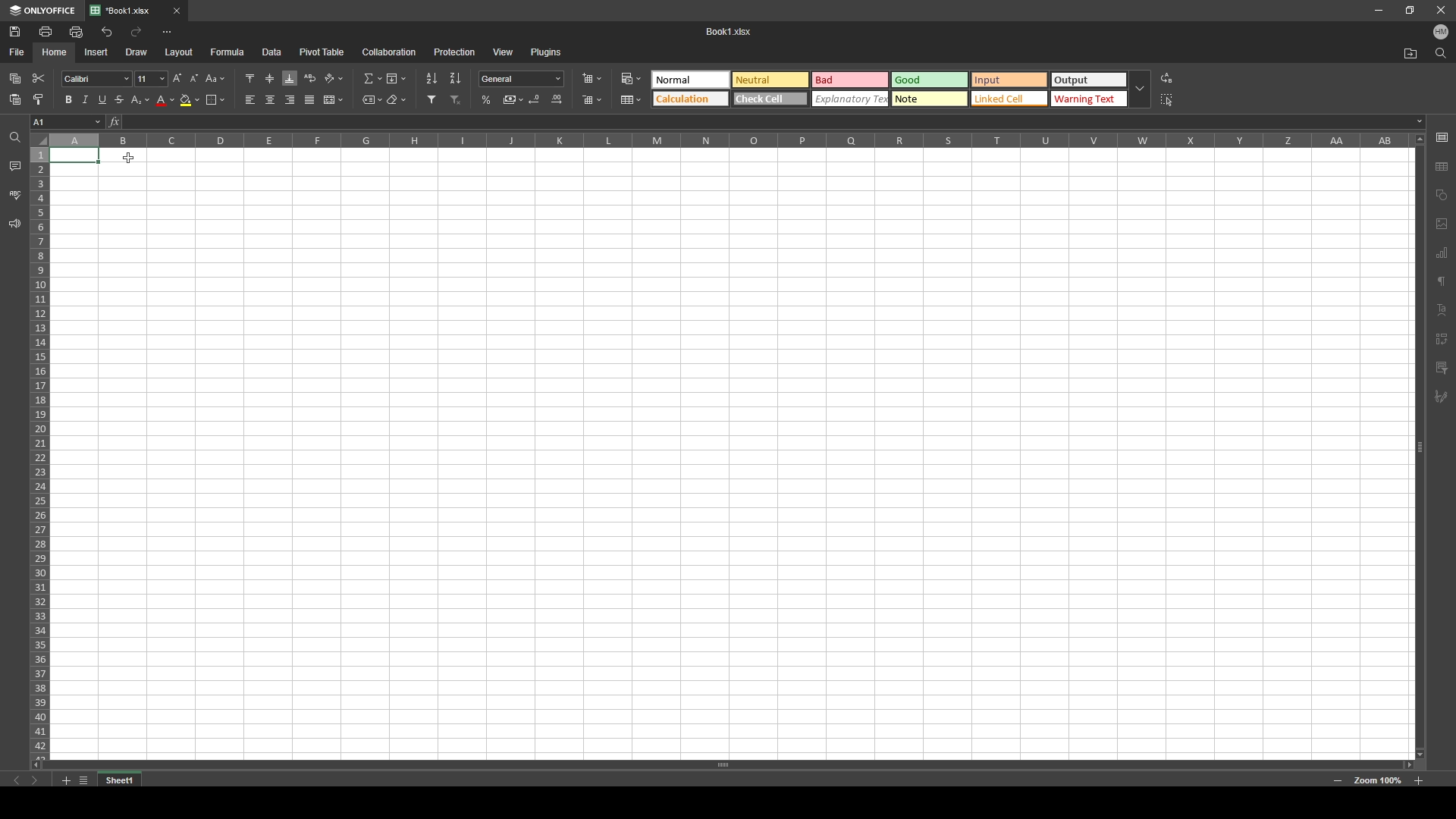  Describe the element at coordinates (42, 11) in the screenshot. I see `onlyoffice` at that location.